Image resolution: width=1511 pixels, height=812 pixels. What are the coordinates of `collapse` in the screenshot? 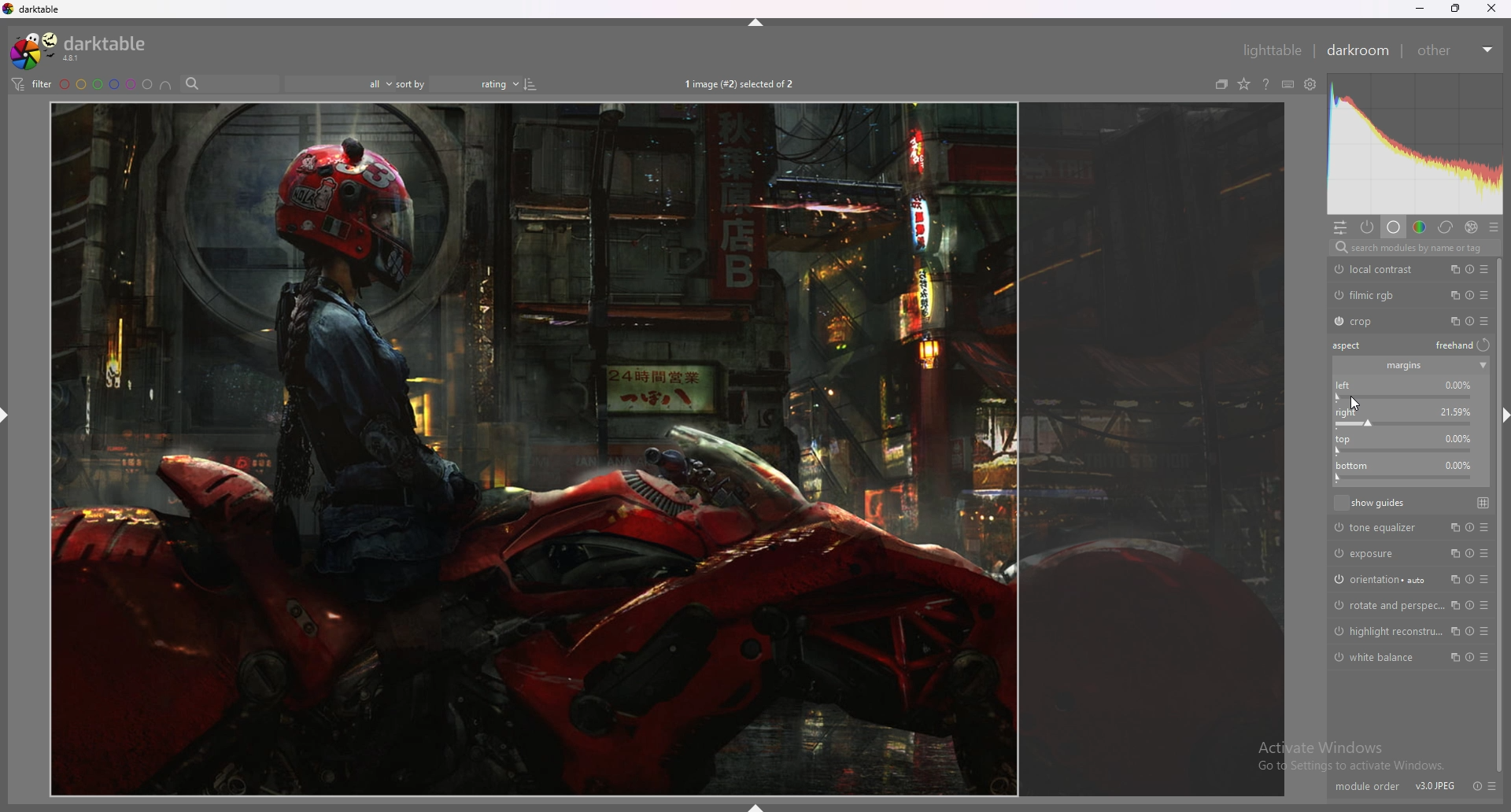 It's located at (1483, 366).